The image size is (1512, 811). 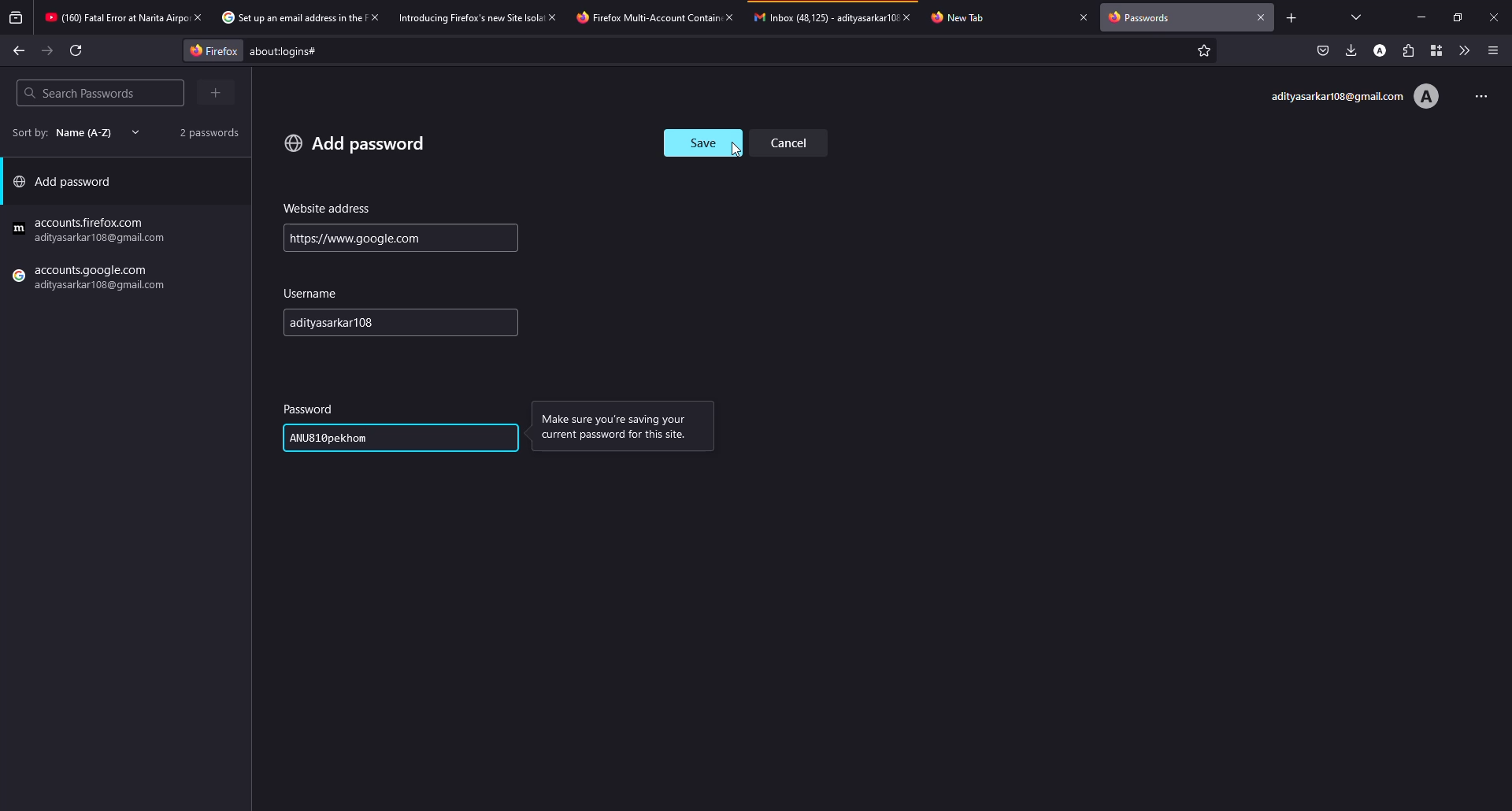 I want to click on tab, so click(x=469, y=17).